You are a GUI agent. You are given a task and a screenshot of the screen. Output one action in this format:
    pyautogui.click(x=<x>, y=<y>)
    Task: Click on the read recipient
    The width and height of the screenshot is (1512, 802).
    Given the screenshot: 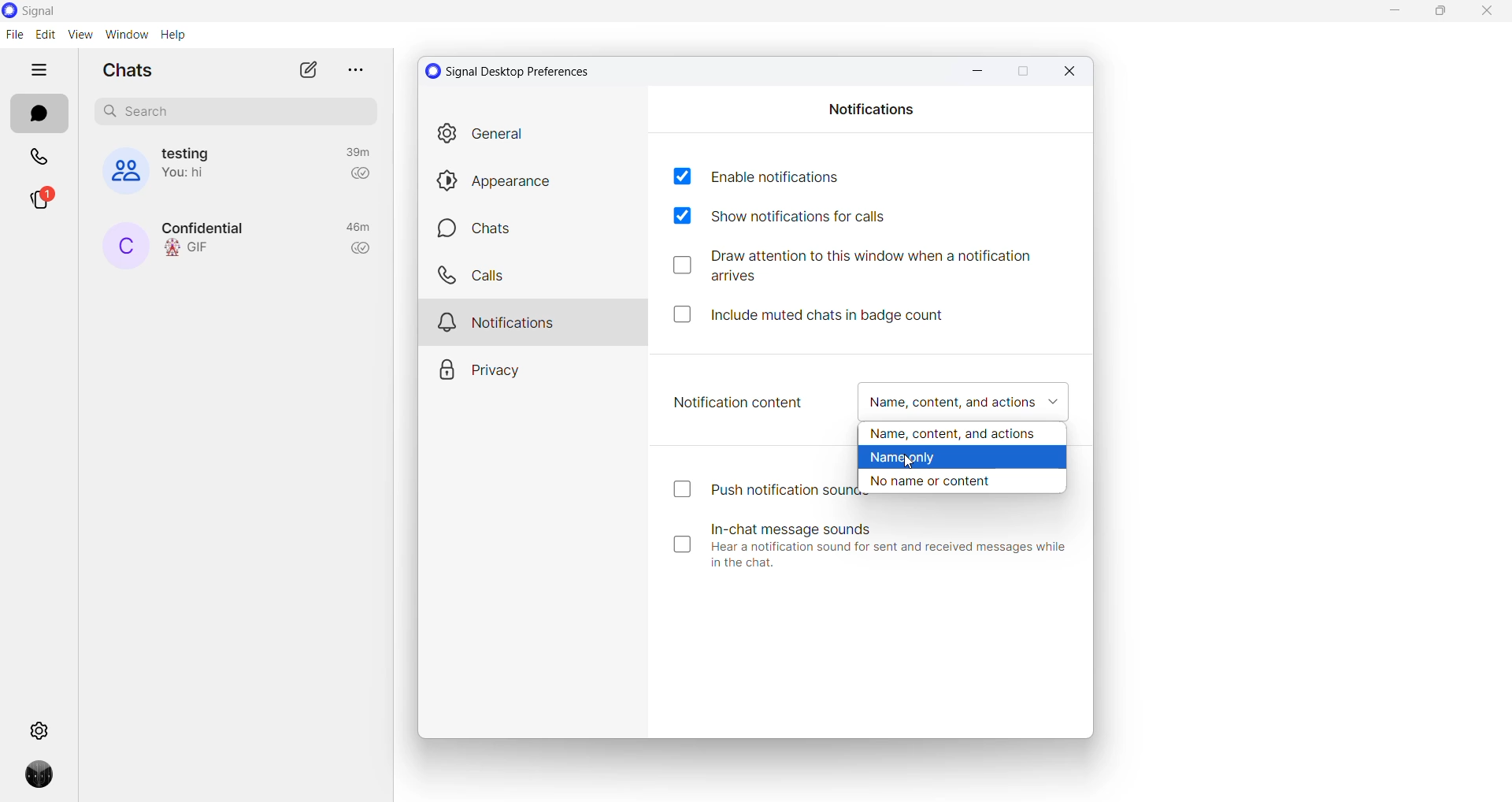 What is the action you would take?
    pyautogui.click(x=362, y=250)
    